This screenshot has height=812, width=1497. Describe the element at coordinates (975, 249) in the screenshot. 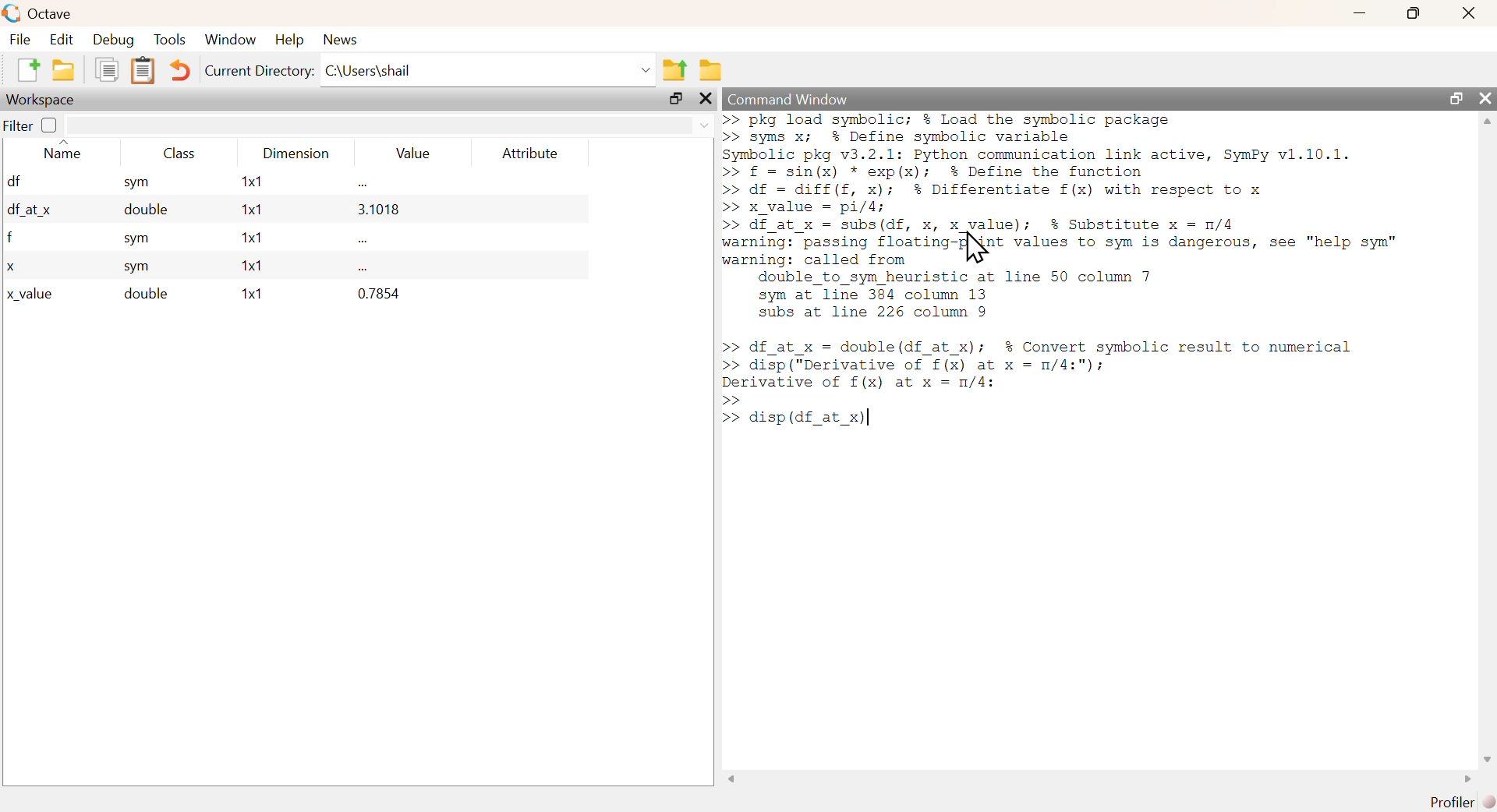

I see `cursor` at that location.